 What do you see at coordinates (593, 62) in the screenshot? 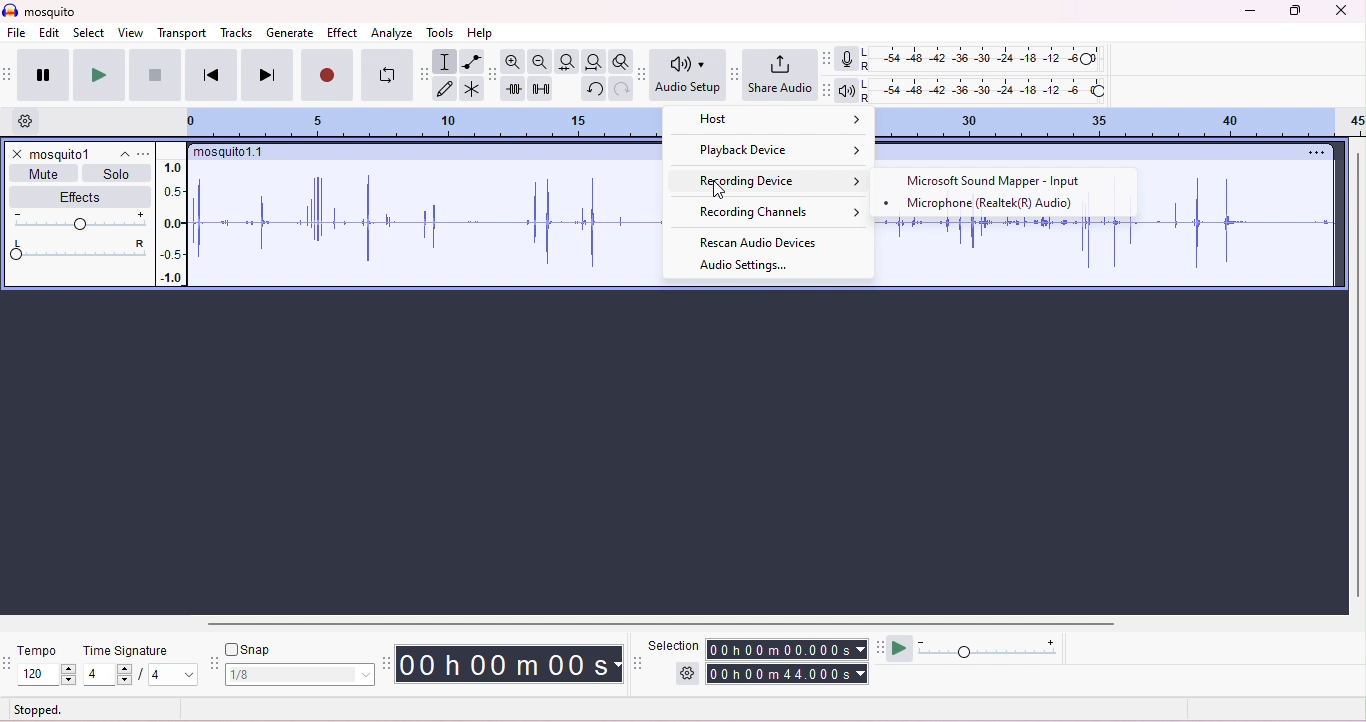
I see `fit project to width` at bounding box center [593, 62].